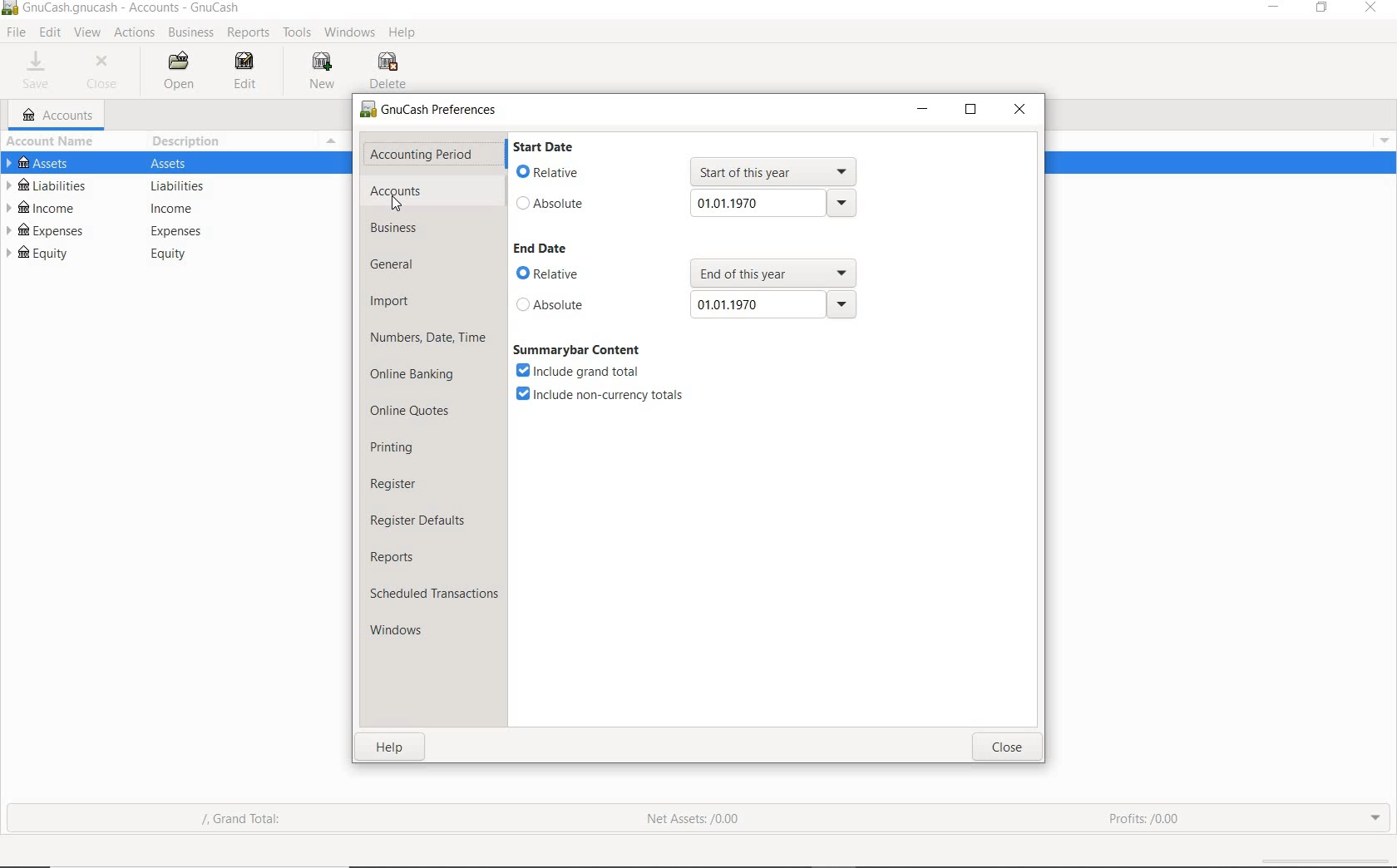 This screenshot has width=1397, height=868. I want to click on register defaults, so click(420, 519).